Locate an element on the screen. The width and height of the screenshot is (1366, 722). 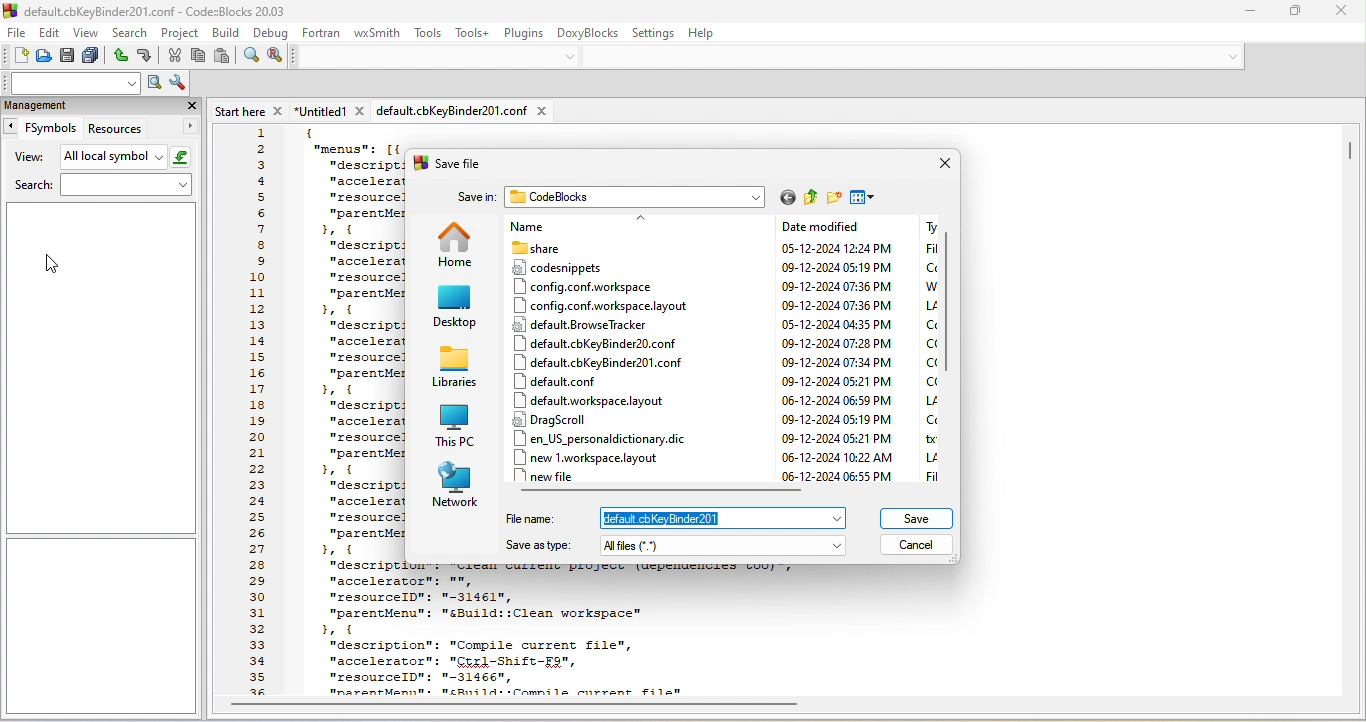
edit is located at coordinates (52, 34).